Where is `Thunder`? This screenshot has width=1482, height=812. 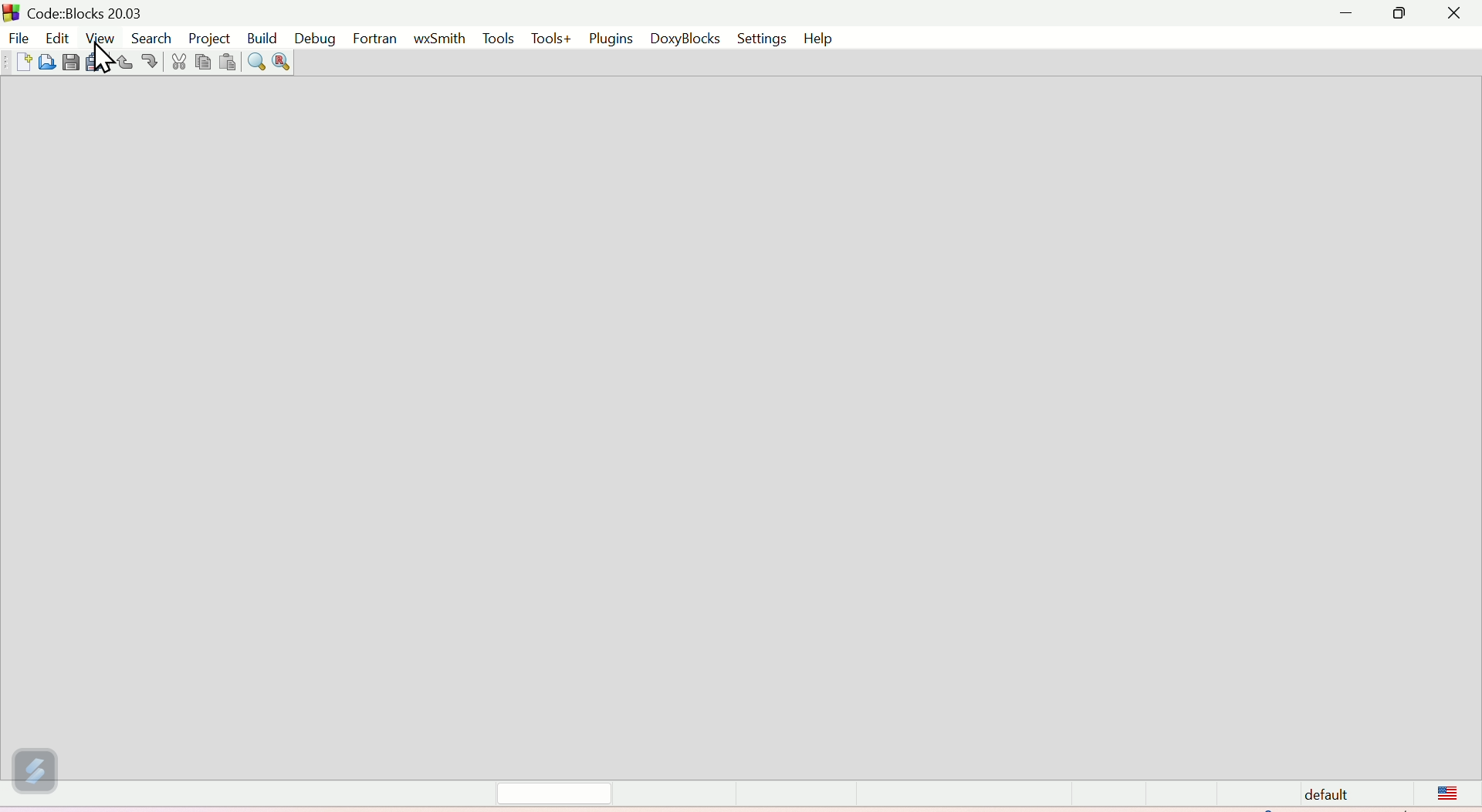 Thunder is located at coordinates (32, 778).